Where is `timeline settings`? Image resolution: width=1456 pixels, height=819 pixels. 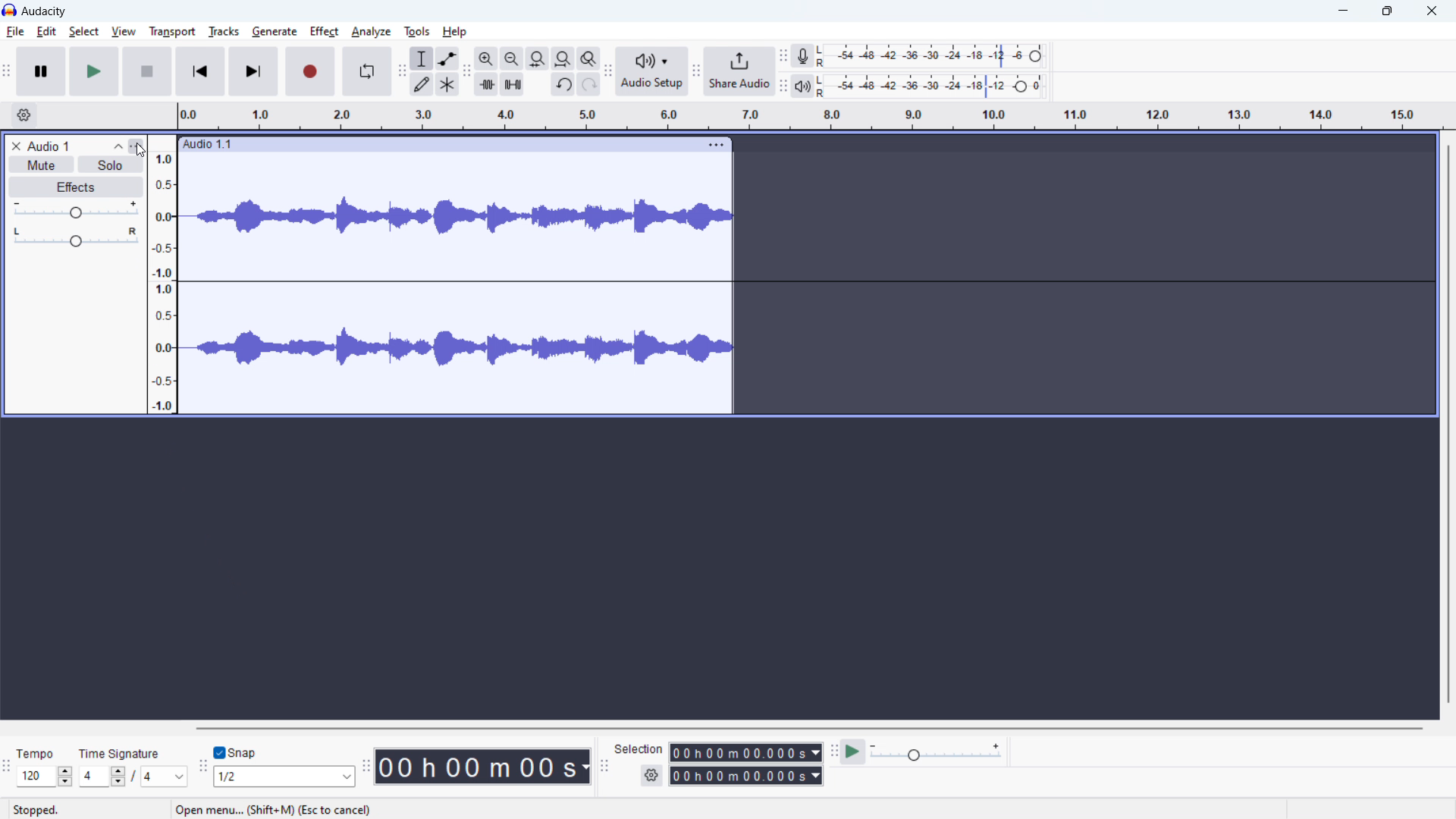 timeline settings is located at coordinates (24, 115).